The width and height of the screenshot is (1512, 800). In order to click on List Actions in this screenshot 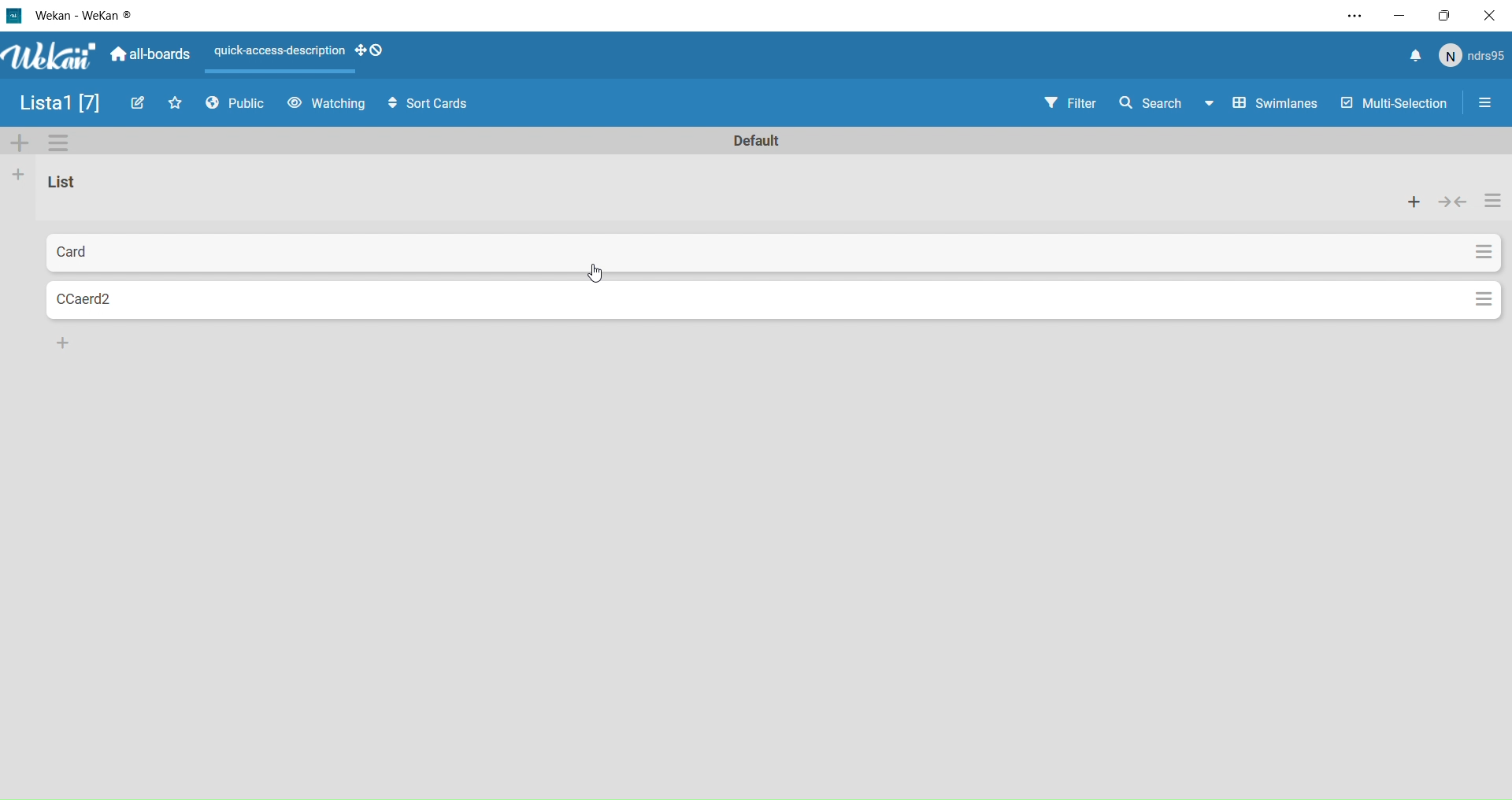, I will do `click(1495, 205)`.